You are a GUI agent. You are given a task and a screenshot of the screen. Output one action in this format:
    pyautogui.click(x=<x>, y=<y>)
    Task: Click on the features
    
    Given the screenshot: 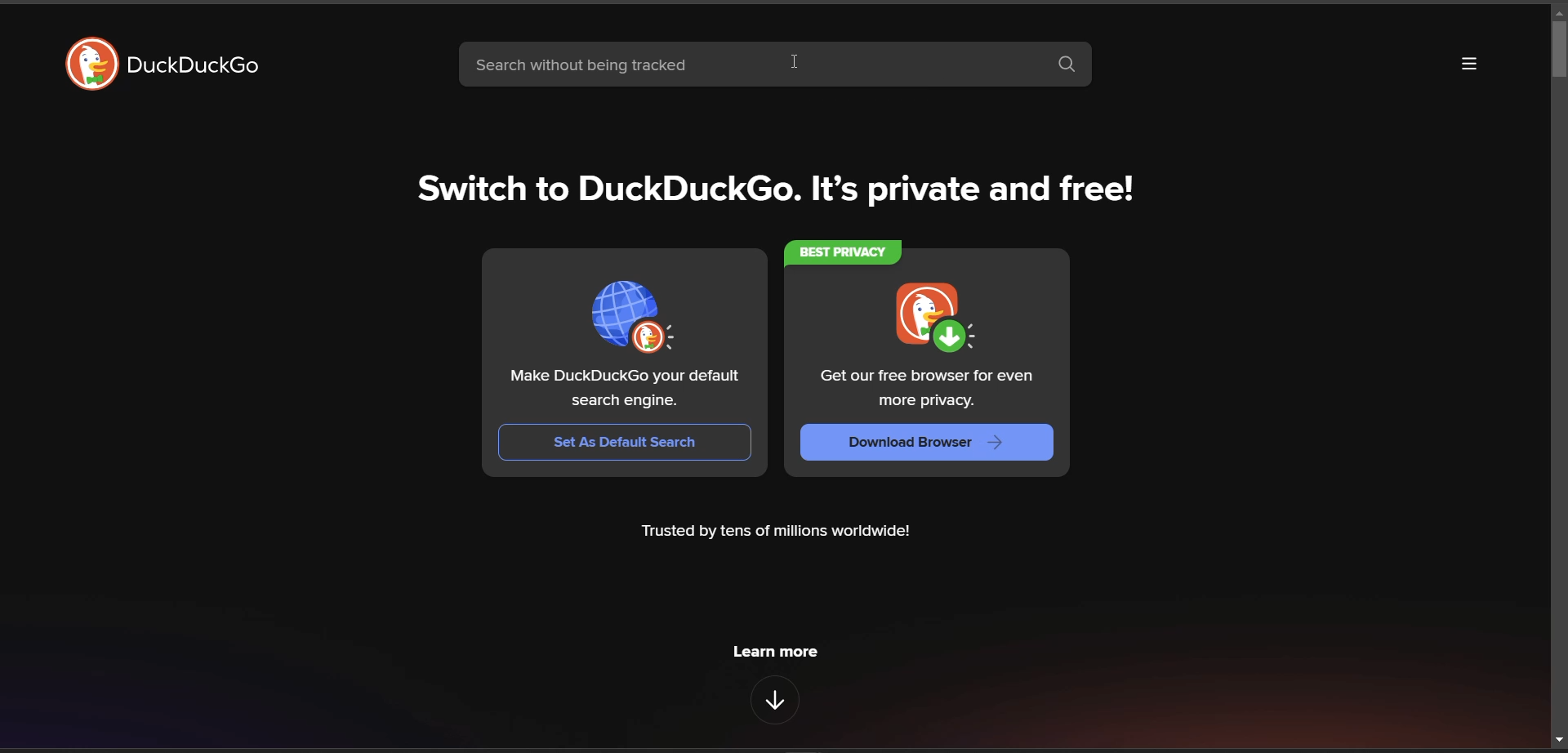 What is the action you would take?
    pyautogui.click(x=779, y=699)
    